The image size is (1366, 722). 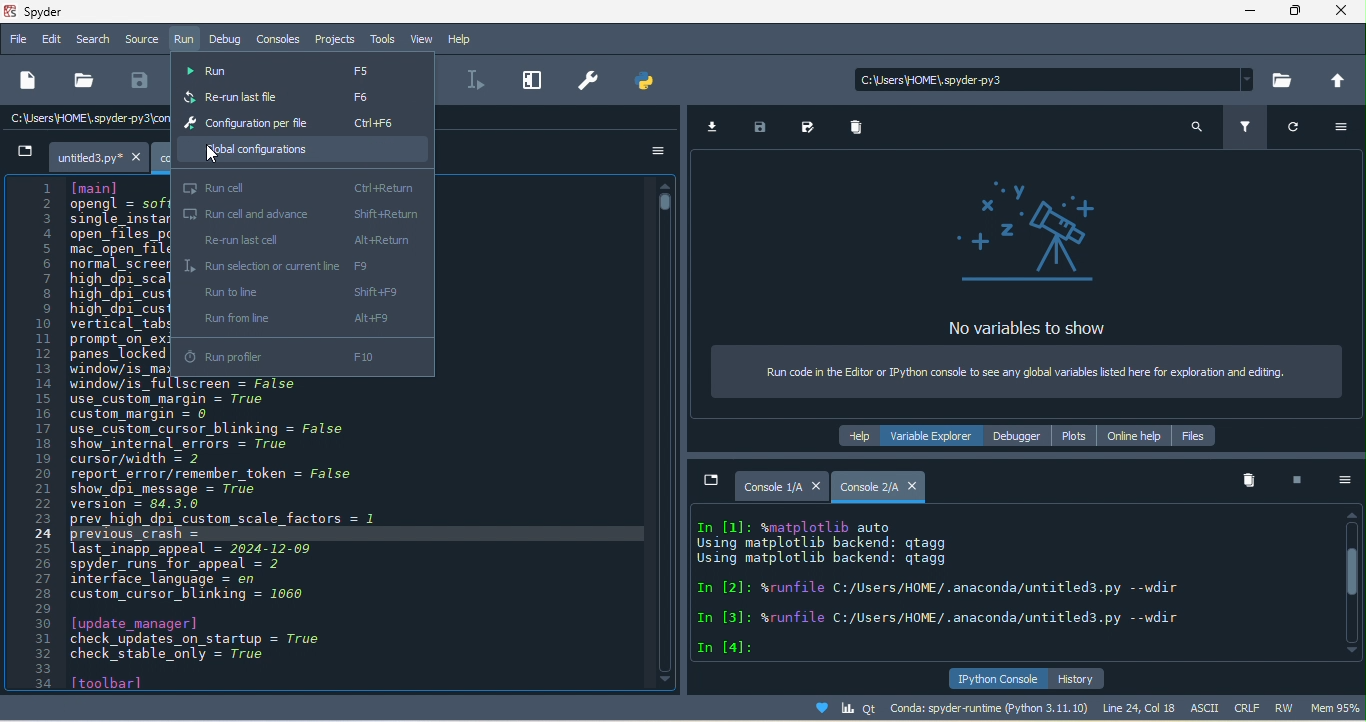 What do you see at coordinates (1343, 126) in the screenshot?
I see `option` at bounding box center [1343, 126].